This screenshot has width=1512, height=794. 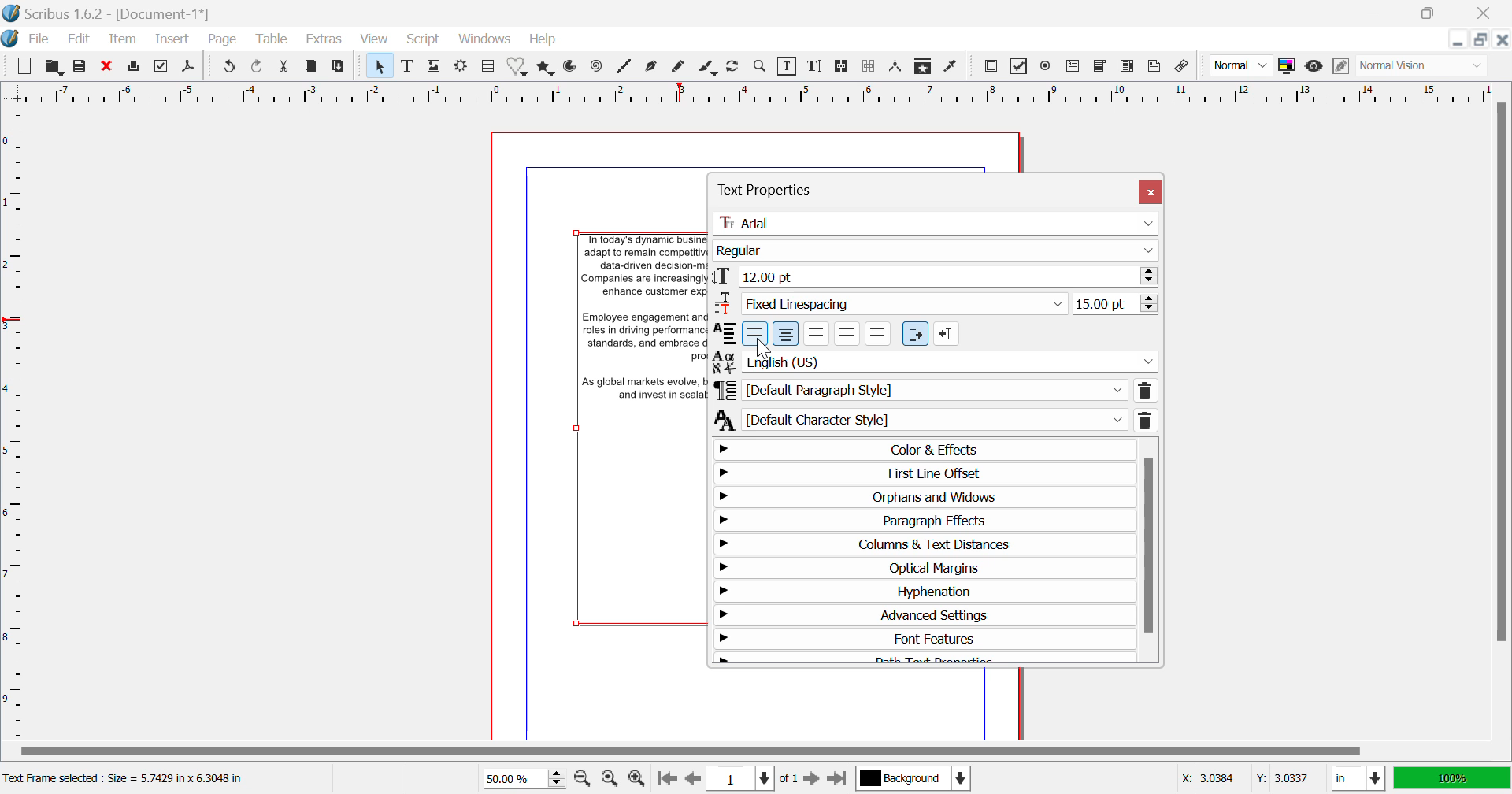 What do you see at coordinates (898, 68) in the screenshot?
I see `Measurements` at bounding box center [898, 68].